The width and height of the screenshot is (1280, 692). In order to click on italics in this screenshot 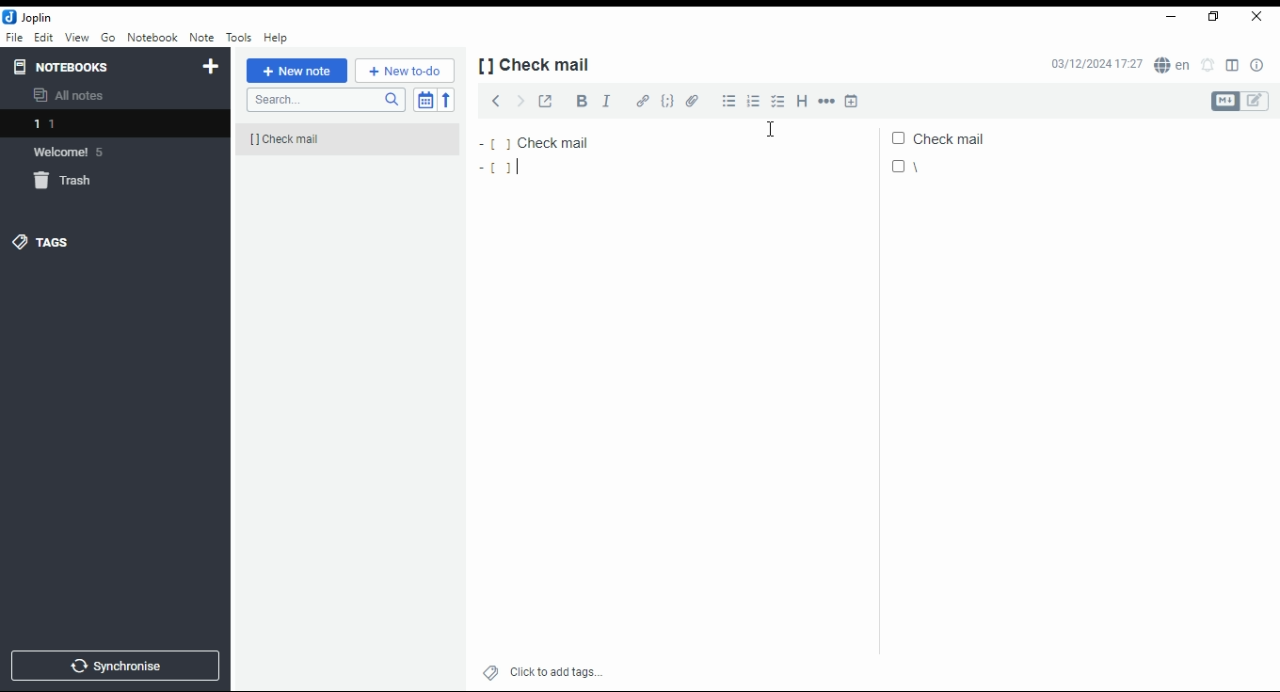, I will do `click(606, 101)`.